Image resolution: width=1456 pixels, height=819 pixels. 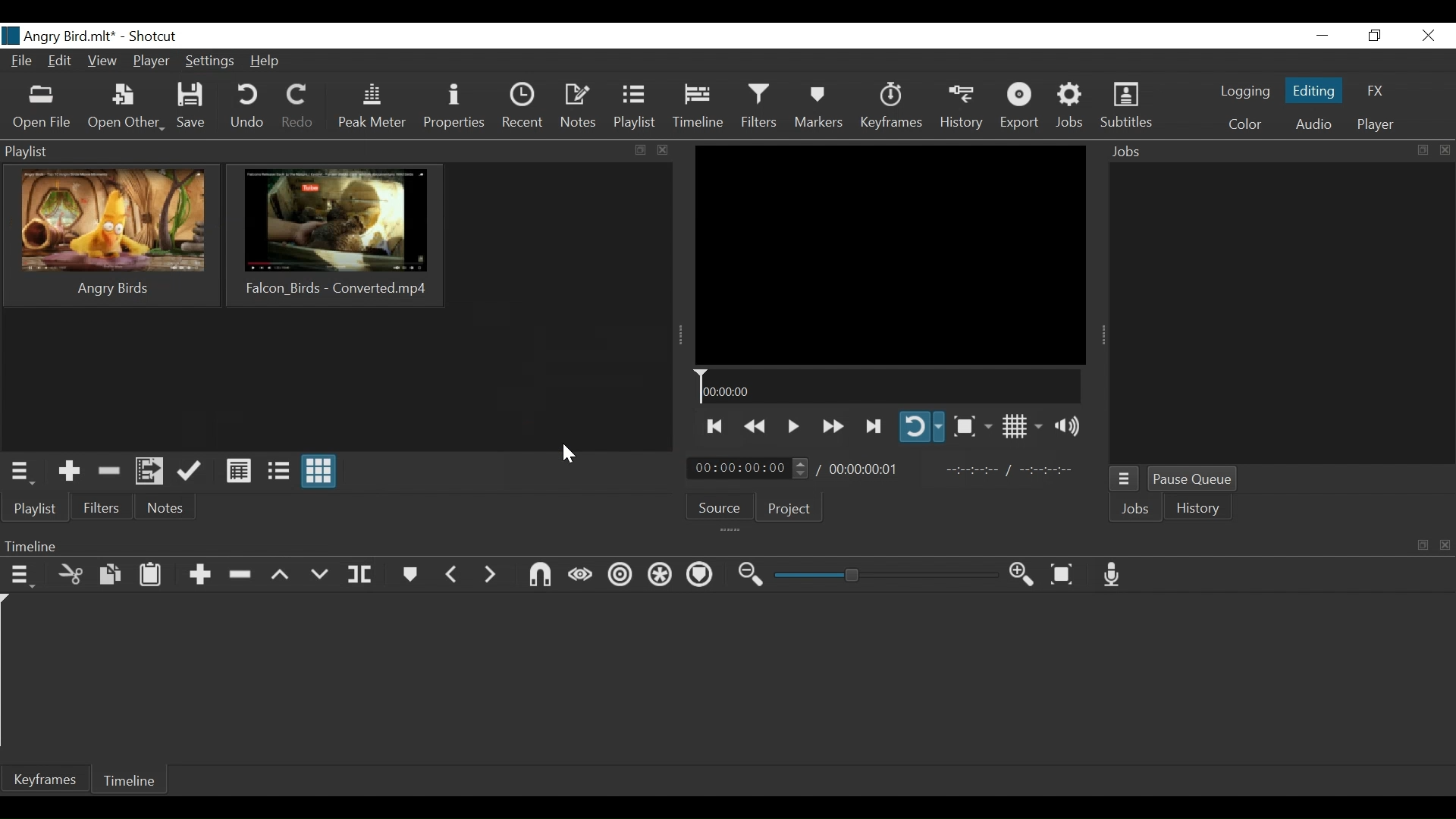 I want to click on Ripple all tracks, so click(x=661, y=575).